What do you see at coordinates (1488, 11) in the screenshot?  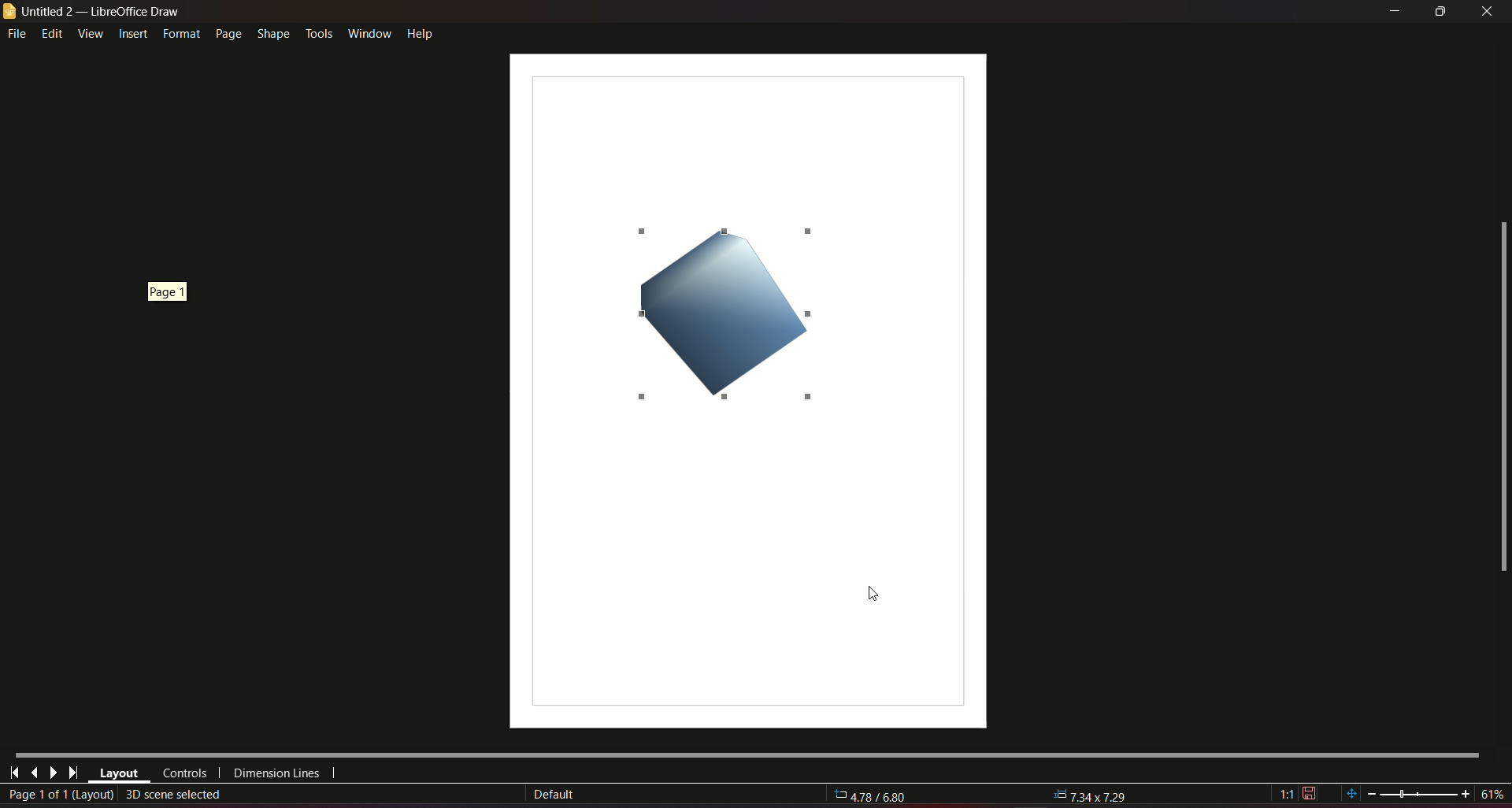 I see `close` at bounding box center [1488, 11].